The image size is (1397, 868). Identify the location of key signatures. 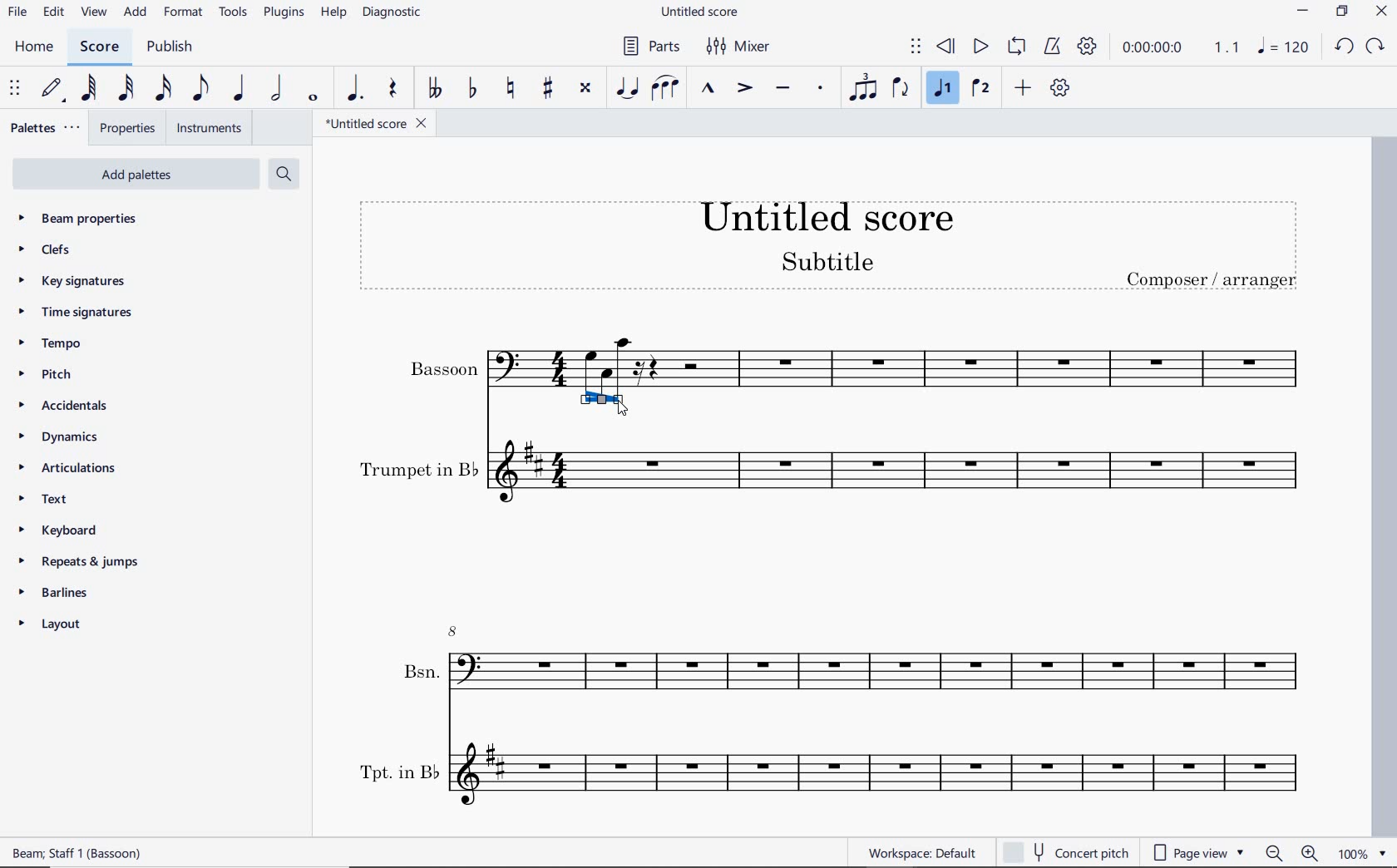
(68, 282).